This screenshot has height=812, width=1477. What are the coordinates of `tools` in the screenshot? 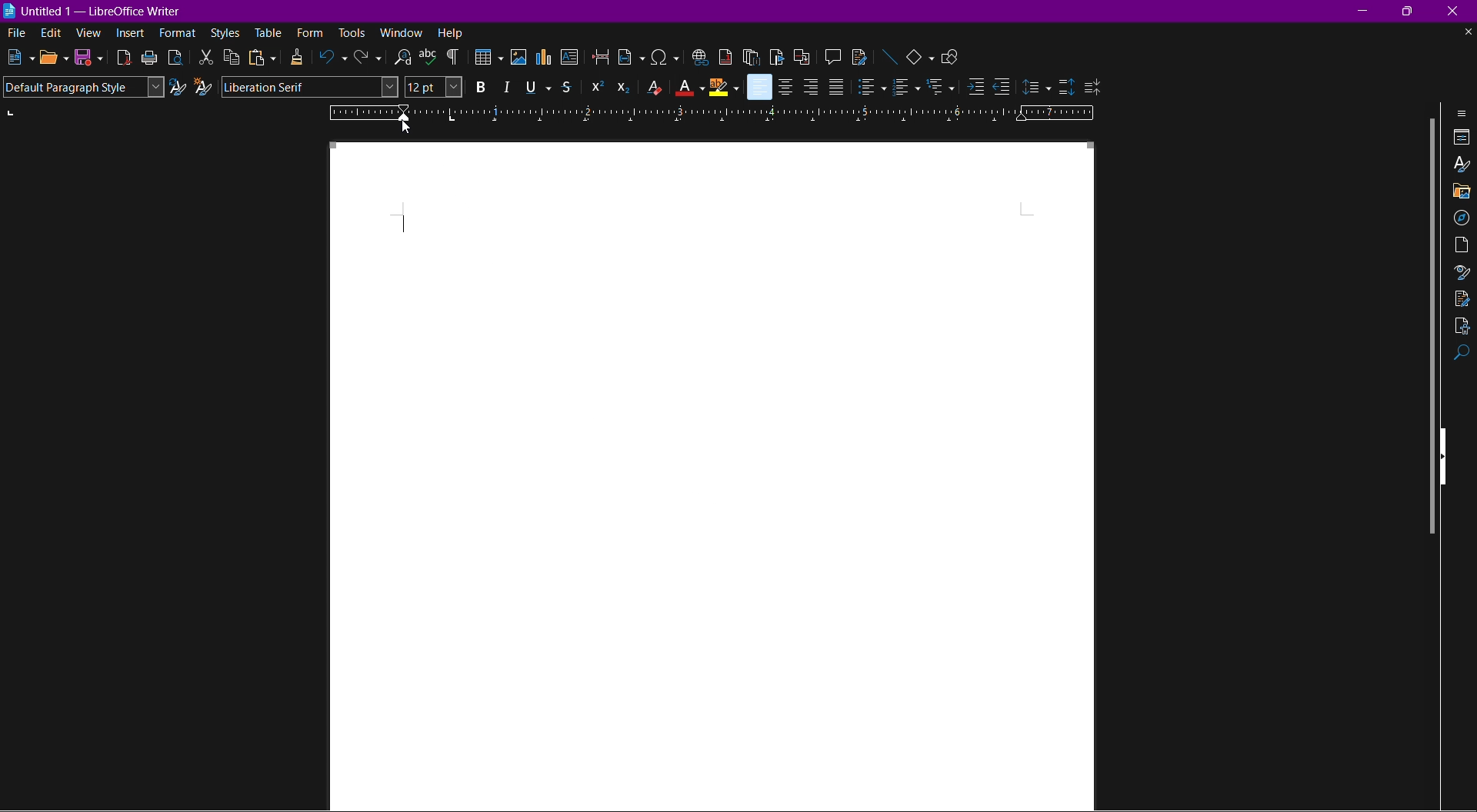 It's located at (352, 33).